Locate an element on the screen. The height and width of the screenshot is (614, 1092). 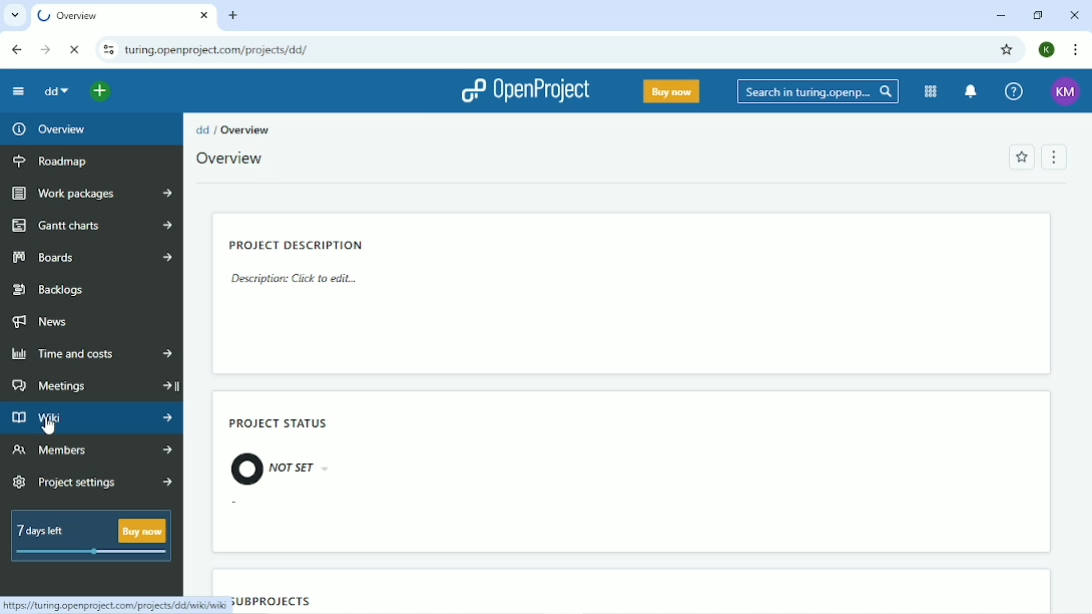
Help is located at coordinates (1013, 91).